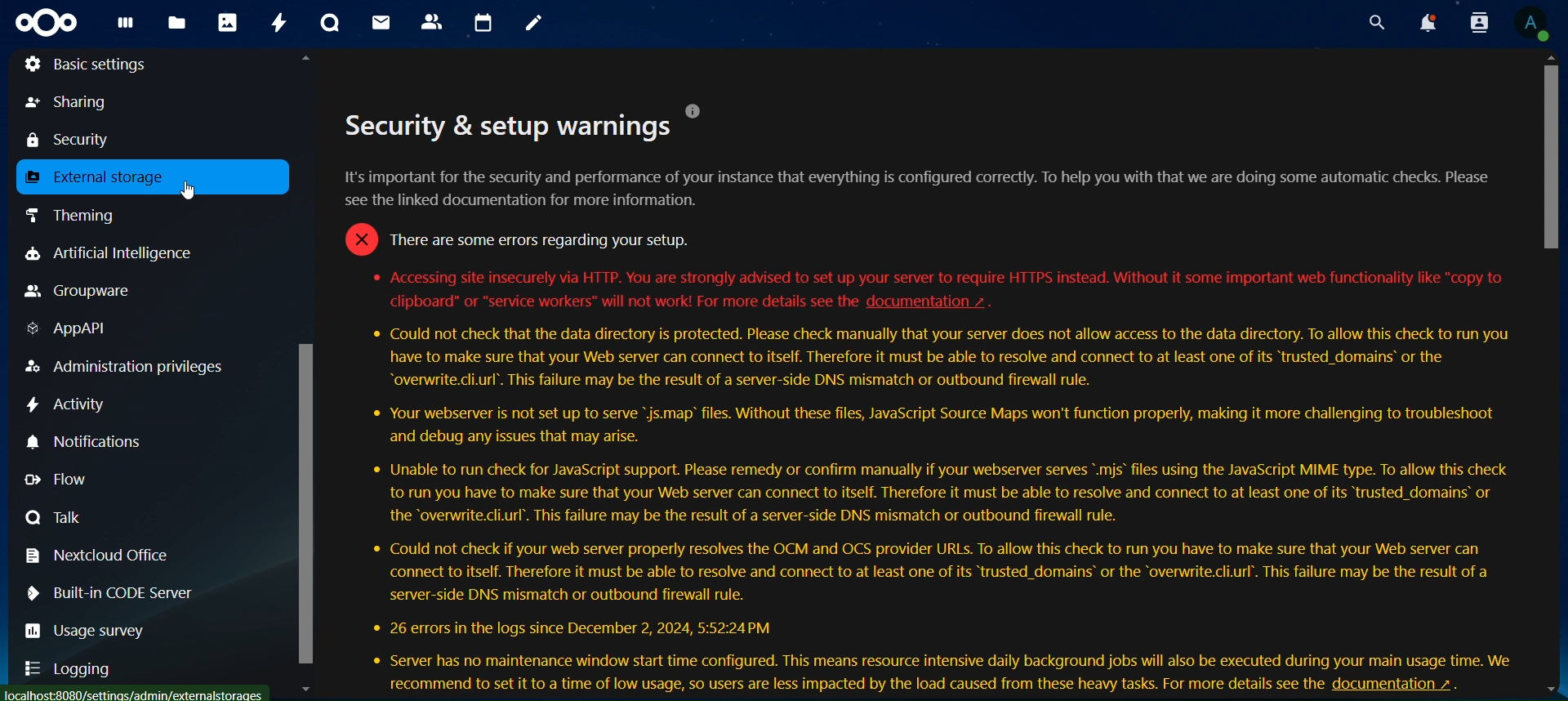  Describe the element at coordinates (1375, 23) in the screenshot. I see `search` at that location.